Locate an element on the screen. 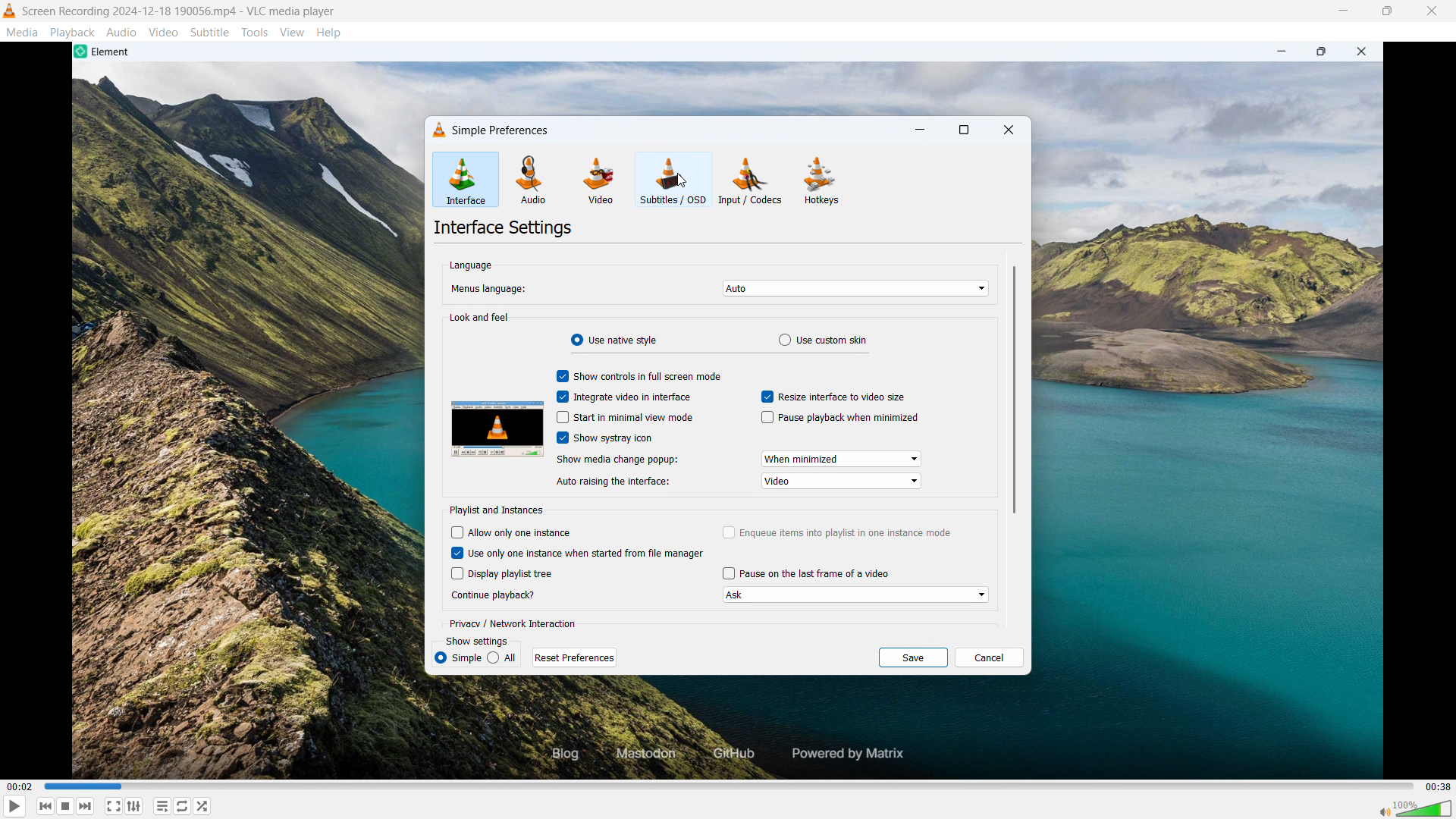 The width and height of the screenshot is (1456, 819). look and feel is located at coordinates (480, 317).